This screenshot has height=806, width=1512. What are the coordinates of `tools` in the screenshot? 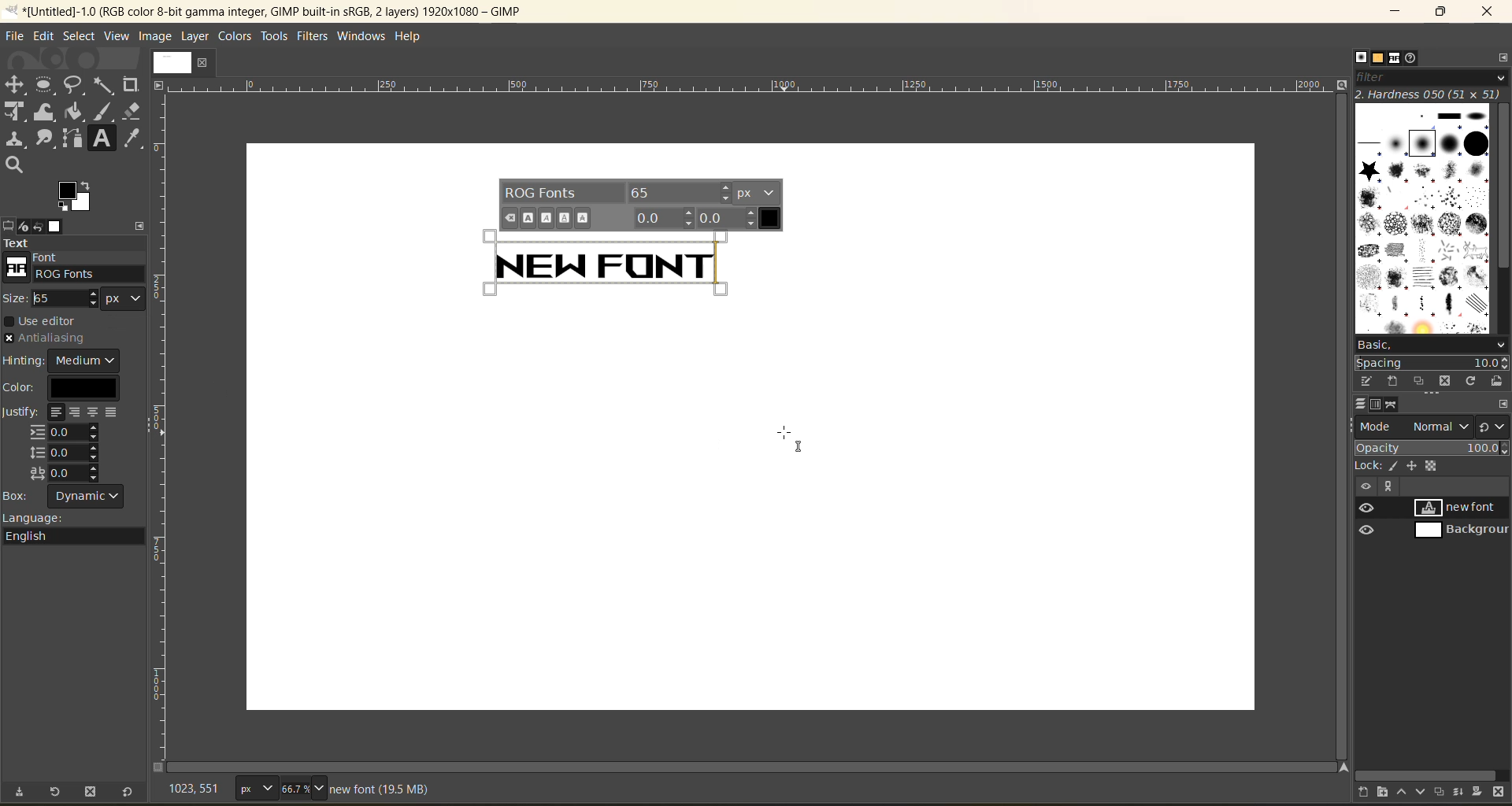 It's located at (76, 126).